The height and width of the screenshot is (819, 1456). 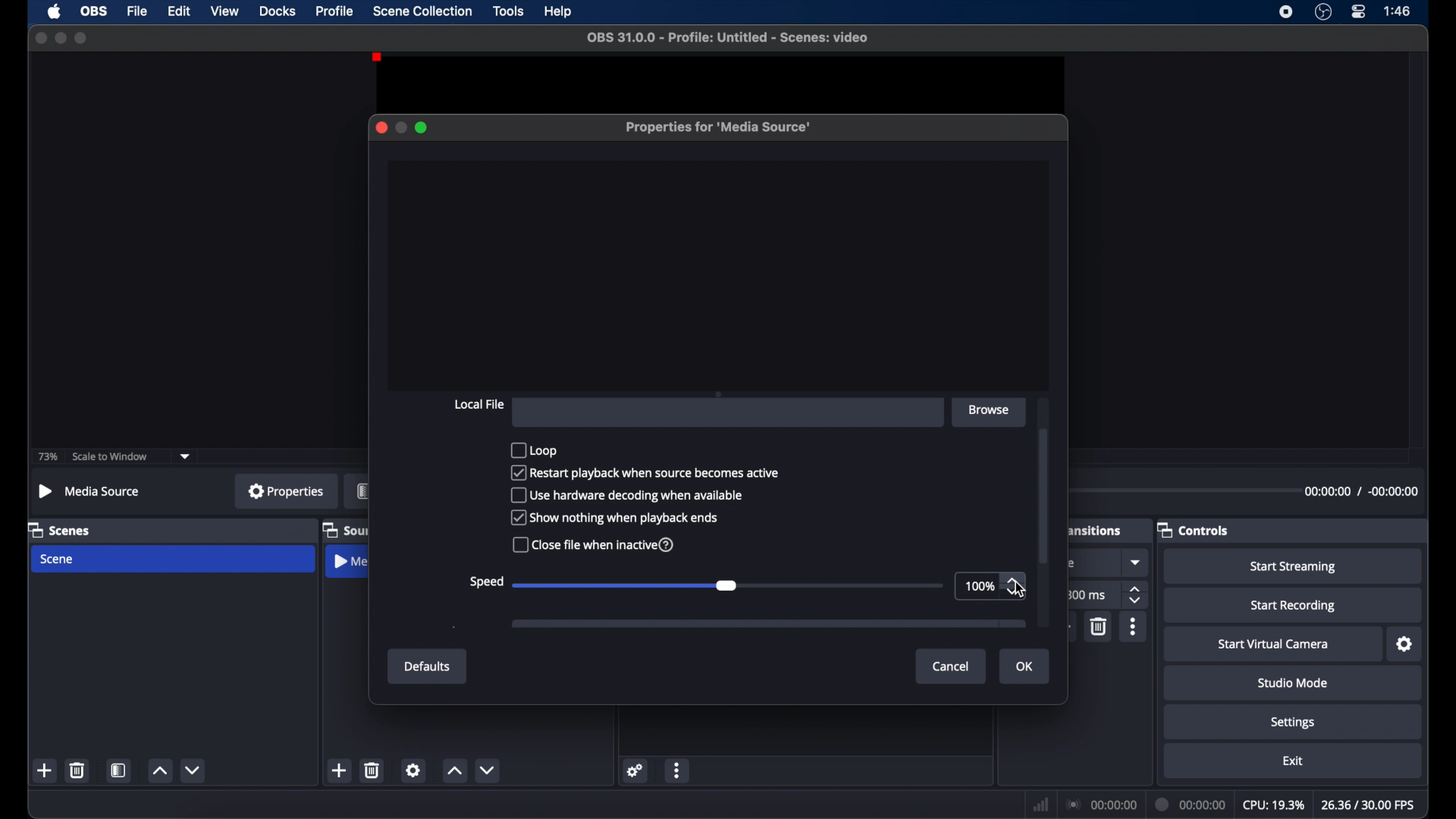 What do you see at coordinates (347, 561) in the screenshot?
I see `obscure label` at bounding box center [347, 561].